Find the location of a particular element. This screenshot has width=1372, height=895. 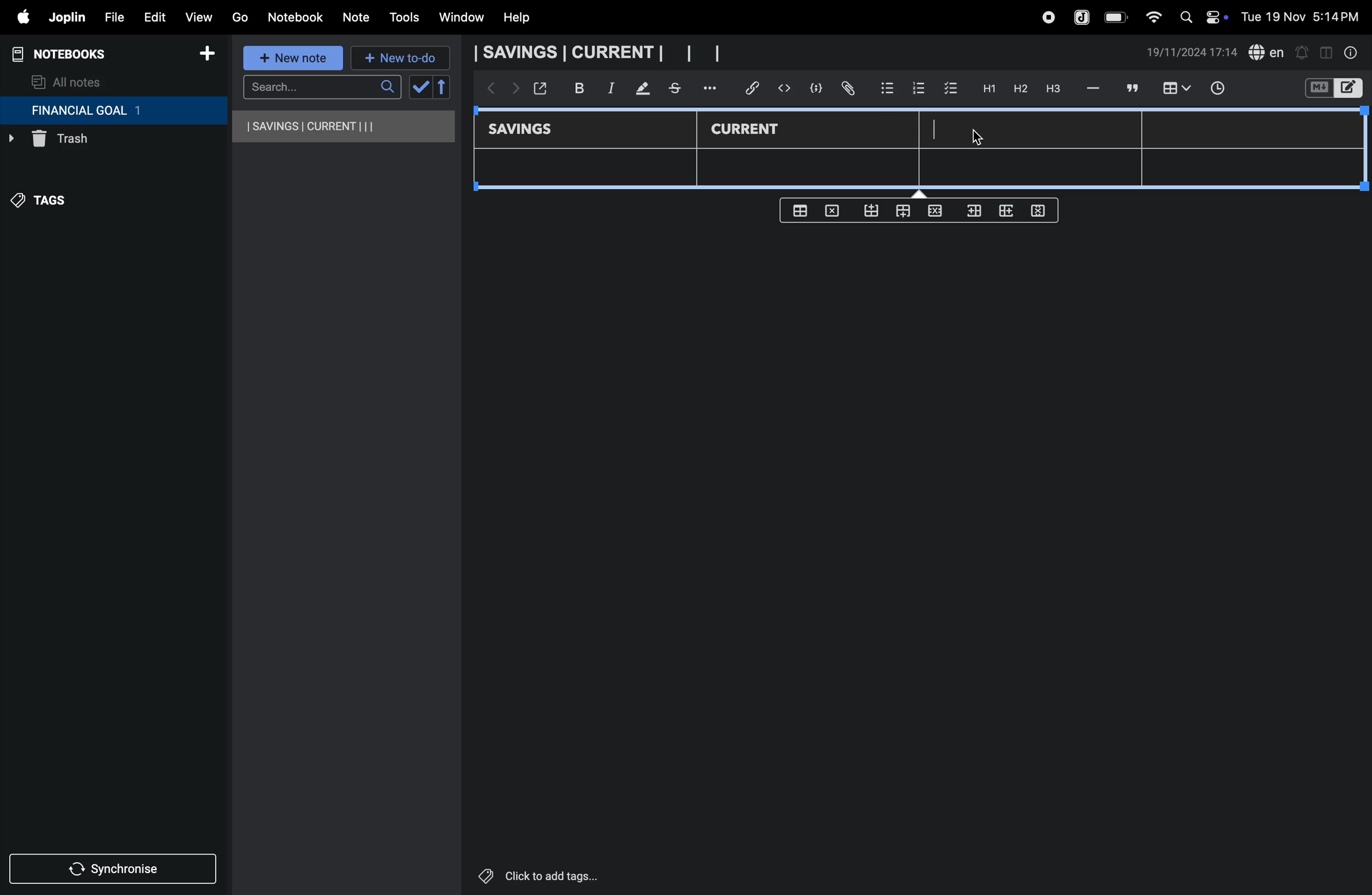

battery is located at coordinates (1117, 17).